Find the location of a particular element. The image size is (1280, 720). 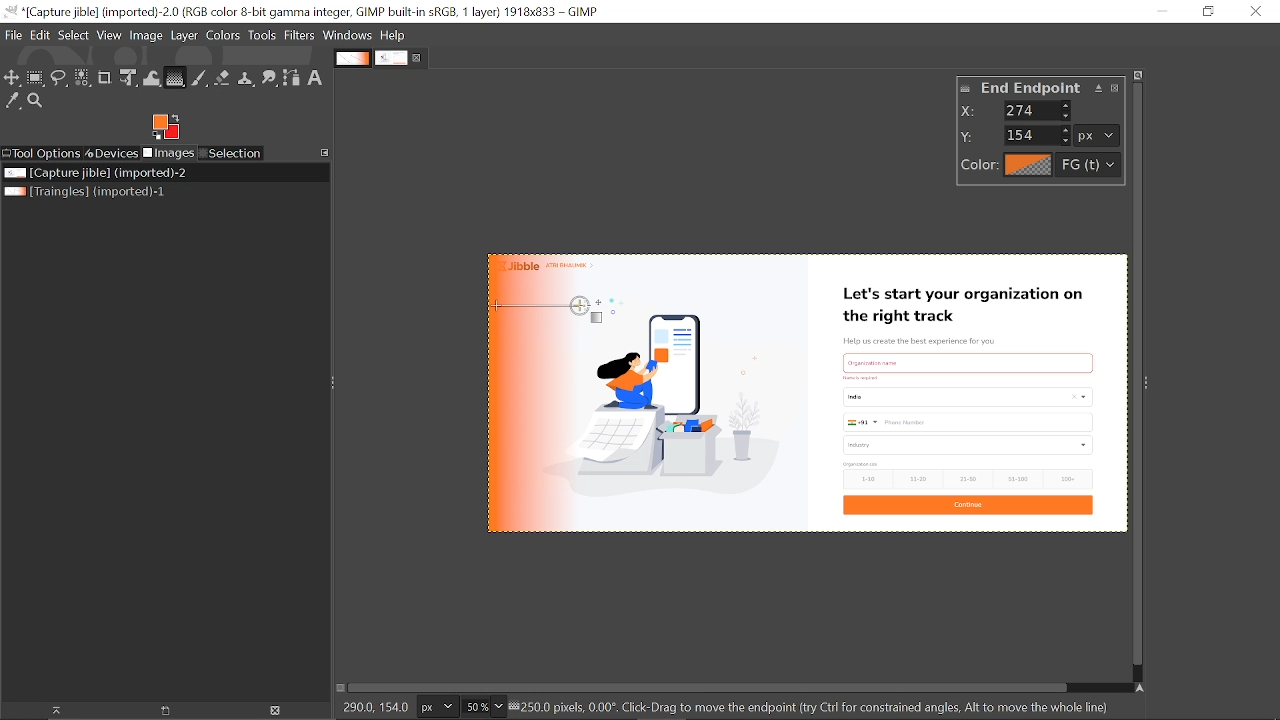

Units of the image is located at coordinates (440, 707).